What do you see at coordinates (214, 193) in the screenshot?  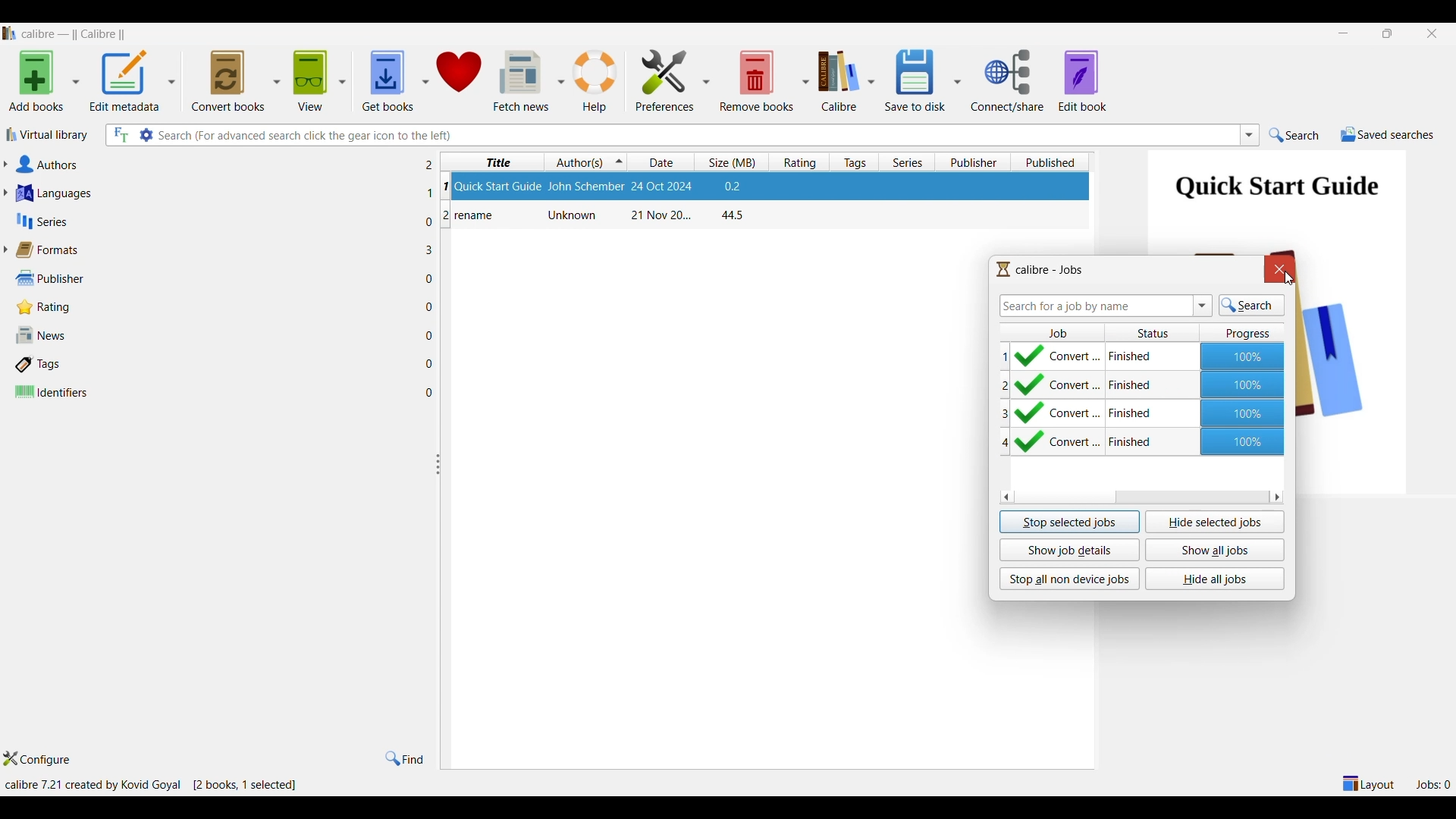 I see `Languages` at bounding box center [214, 193].